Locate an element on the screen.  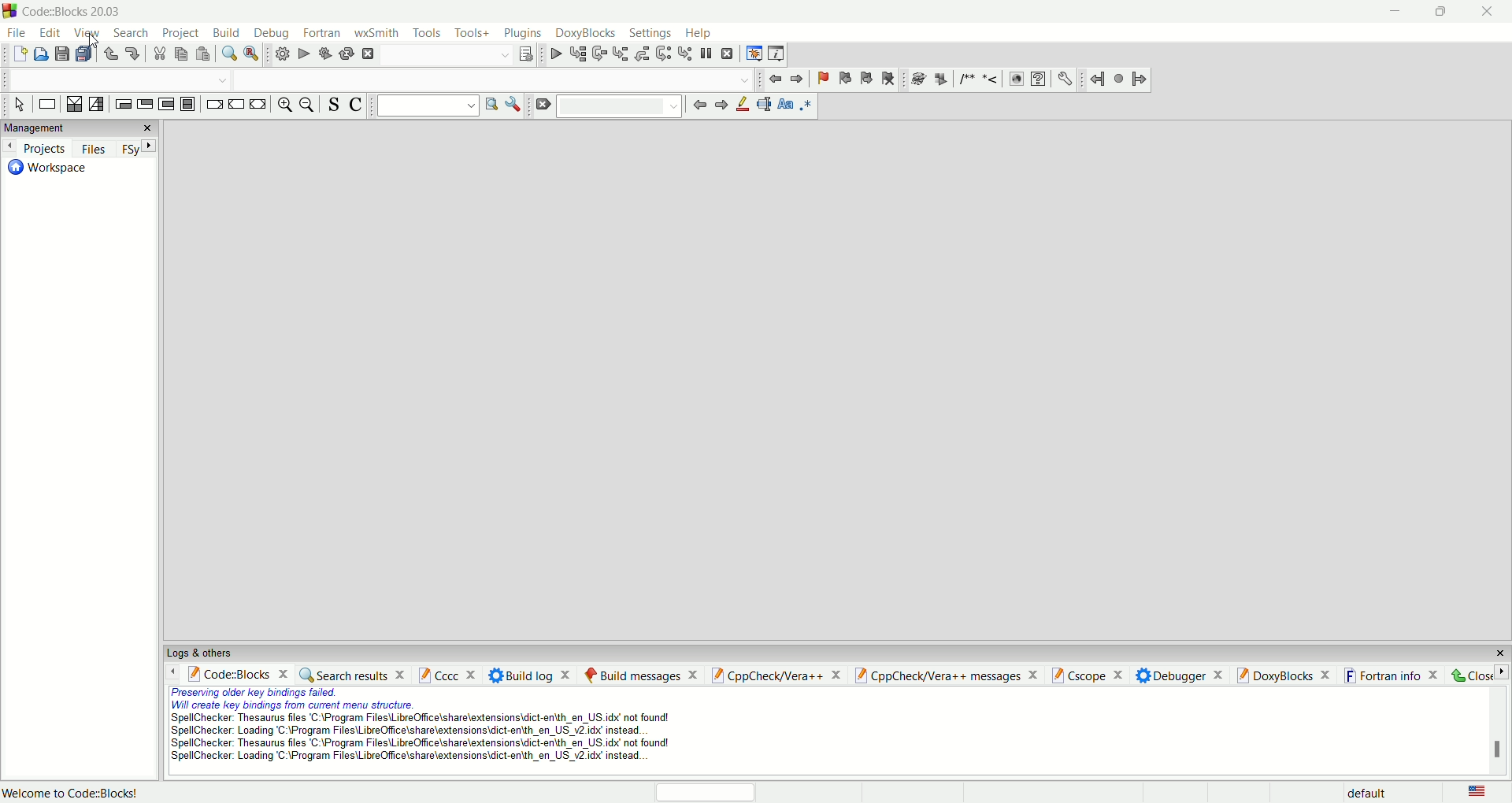
toggle bookmark is located at coordinates (821, 76).